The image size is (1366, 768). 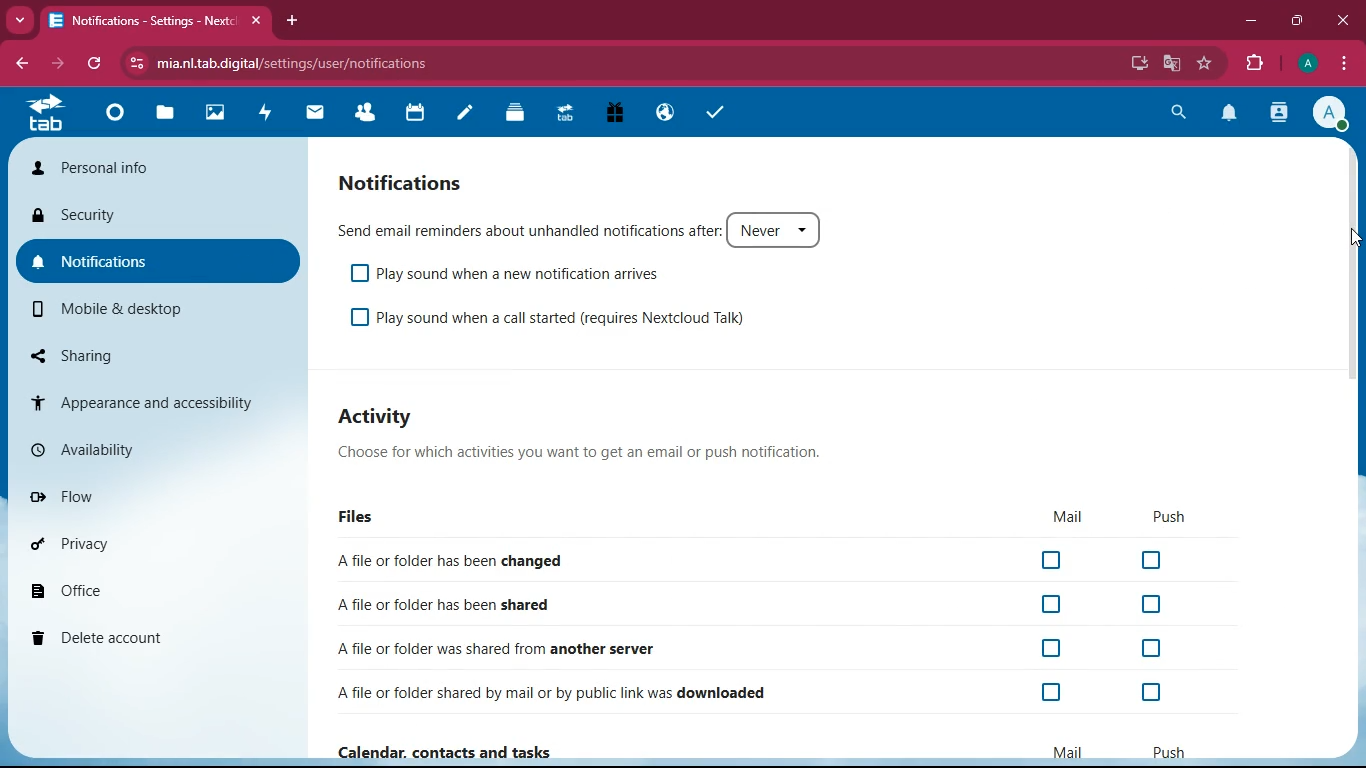 What do you see at coordinates (1277, 115) in the screenshot?
I see `contacts` at bounding box center [1277, 115].